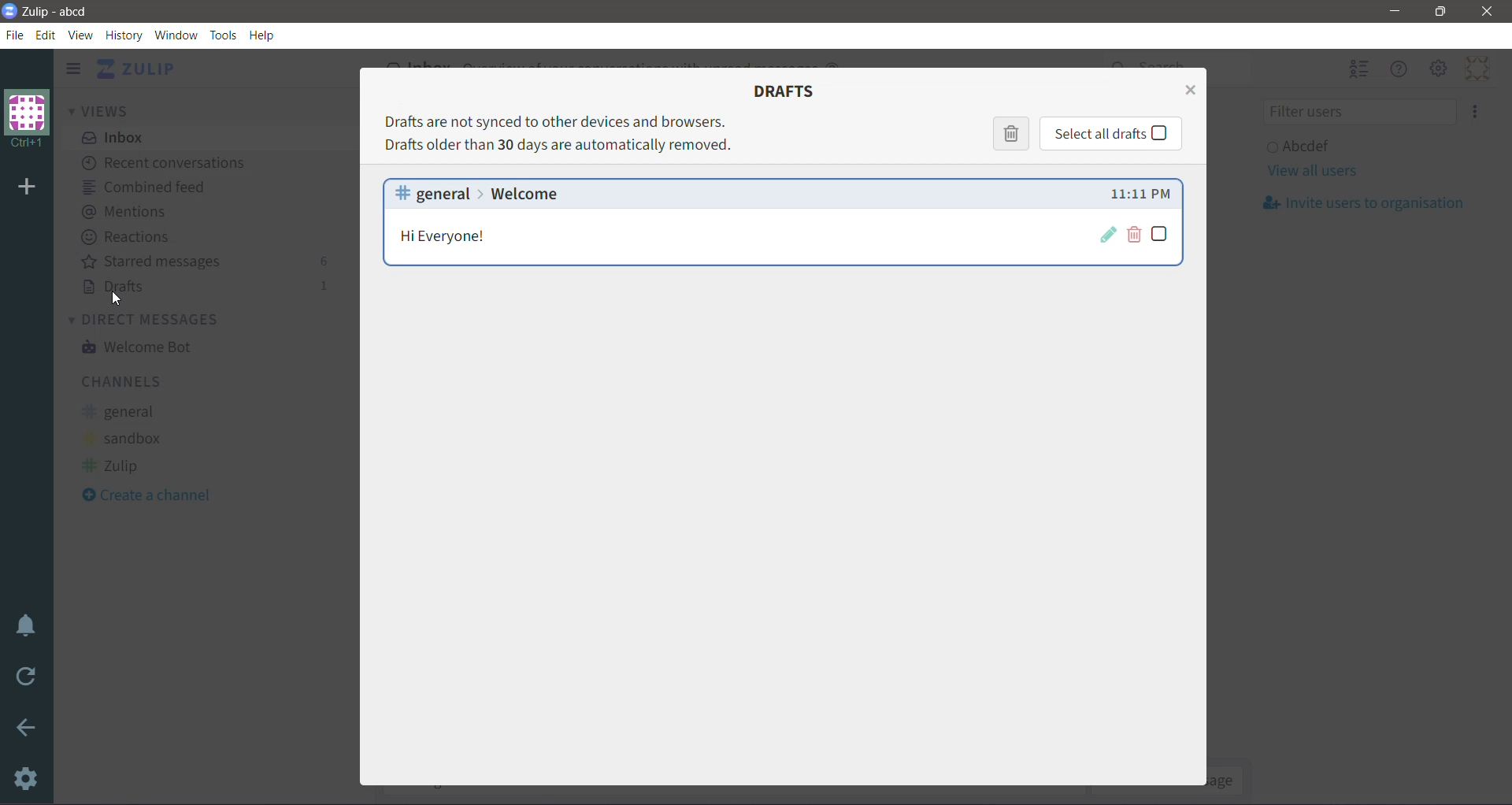  Describe the element at coordinates (72, 68) in the screenshot. I see `Hide left sidebar` at that location.